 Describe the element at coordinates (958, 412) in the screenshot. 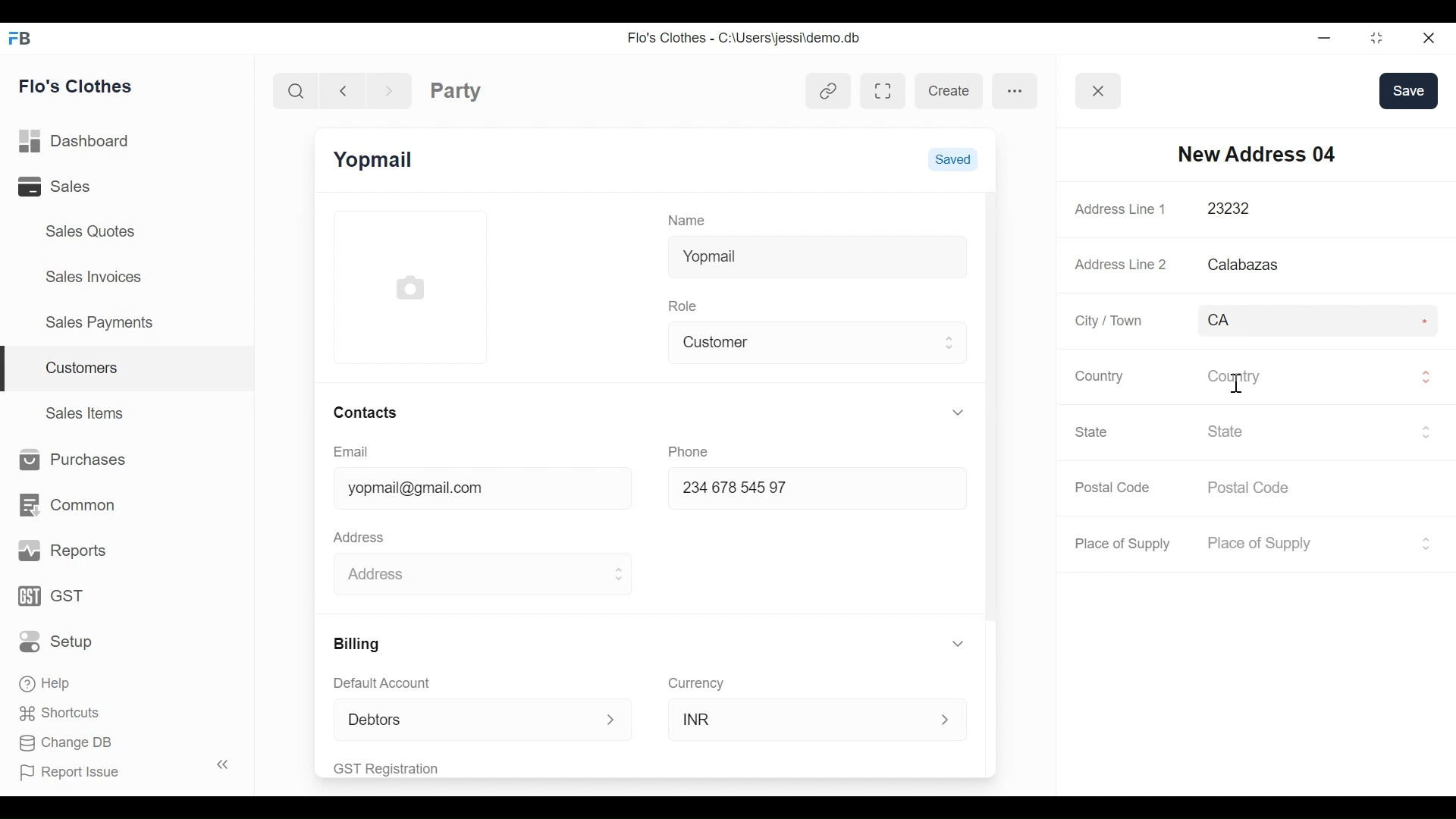

I see `Expand` at that location.